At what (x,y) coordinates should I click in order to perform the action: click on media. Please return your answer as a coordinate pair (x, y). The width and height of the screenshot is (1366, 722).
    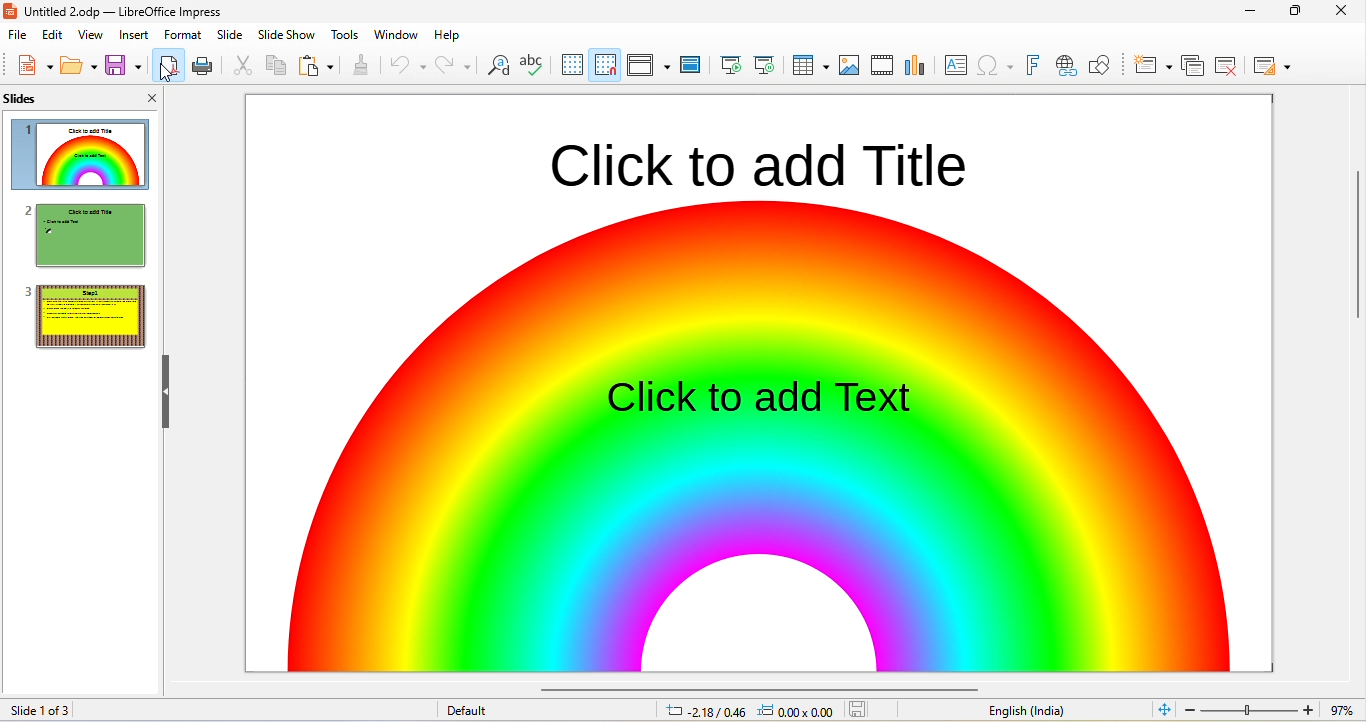
    Looking at the image, I should click on (880, 66).